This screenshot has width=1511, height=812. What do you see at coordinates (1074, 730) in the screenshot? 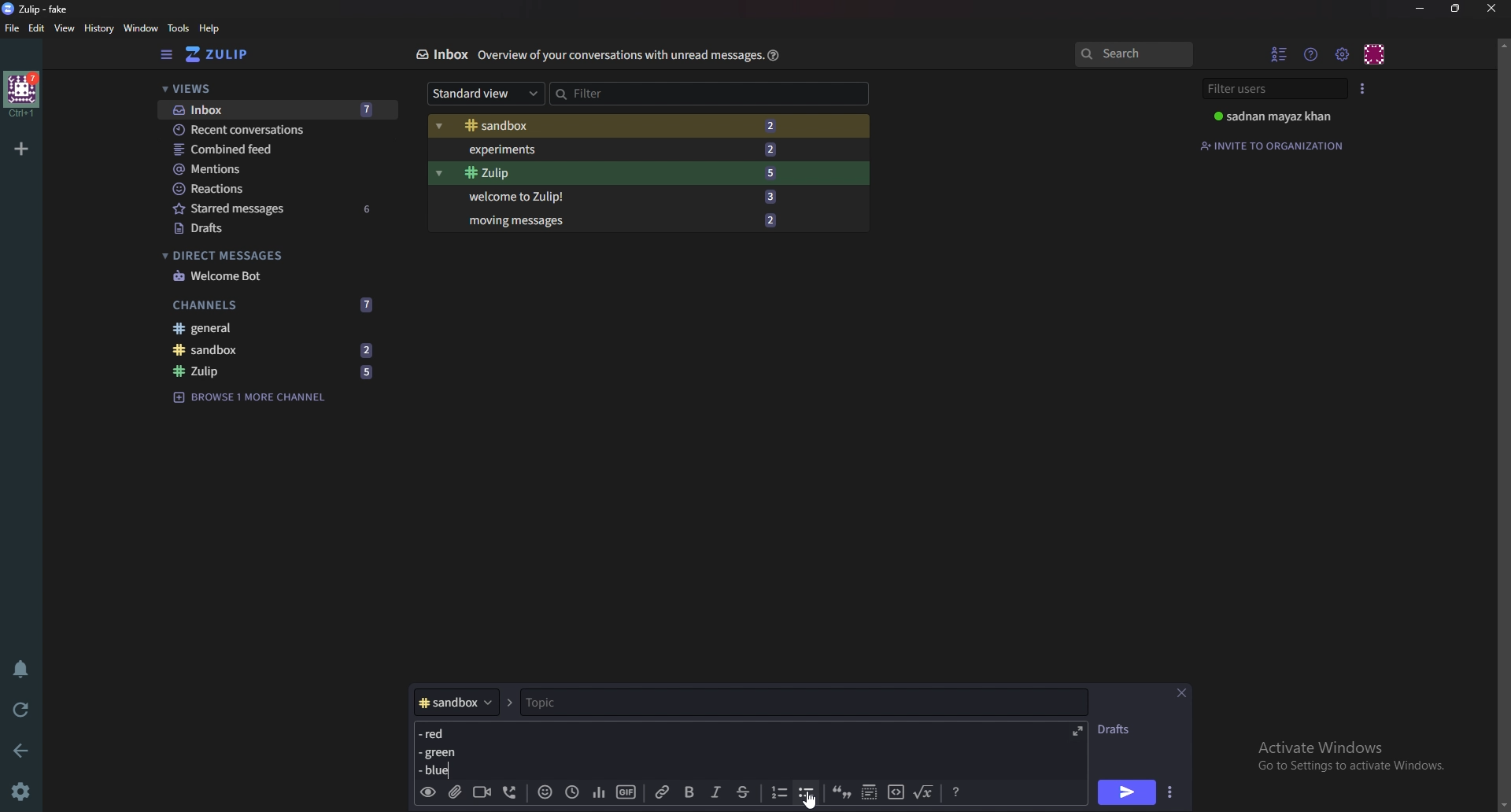
I see `expand` at bounding box center [1074, 730].